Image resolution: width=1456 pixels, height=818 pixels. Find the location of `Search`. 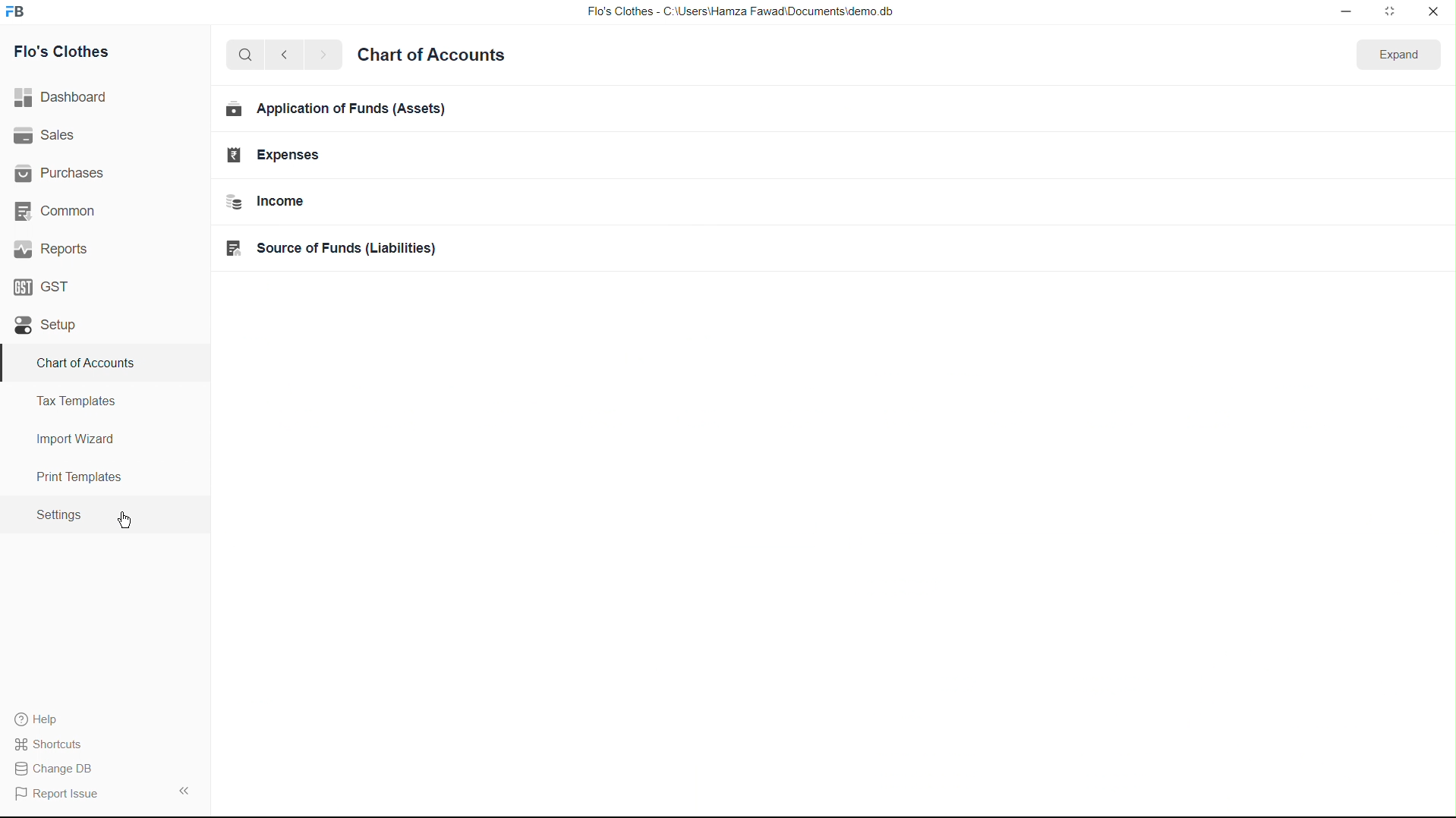

Search is located at coordinates (240, 55).